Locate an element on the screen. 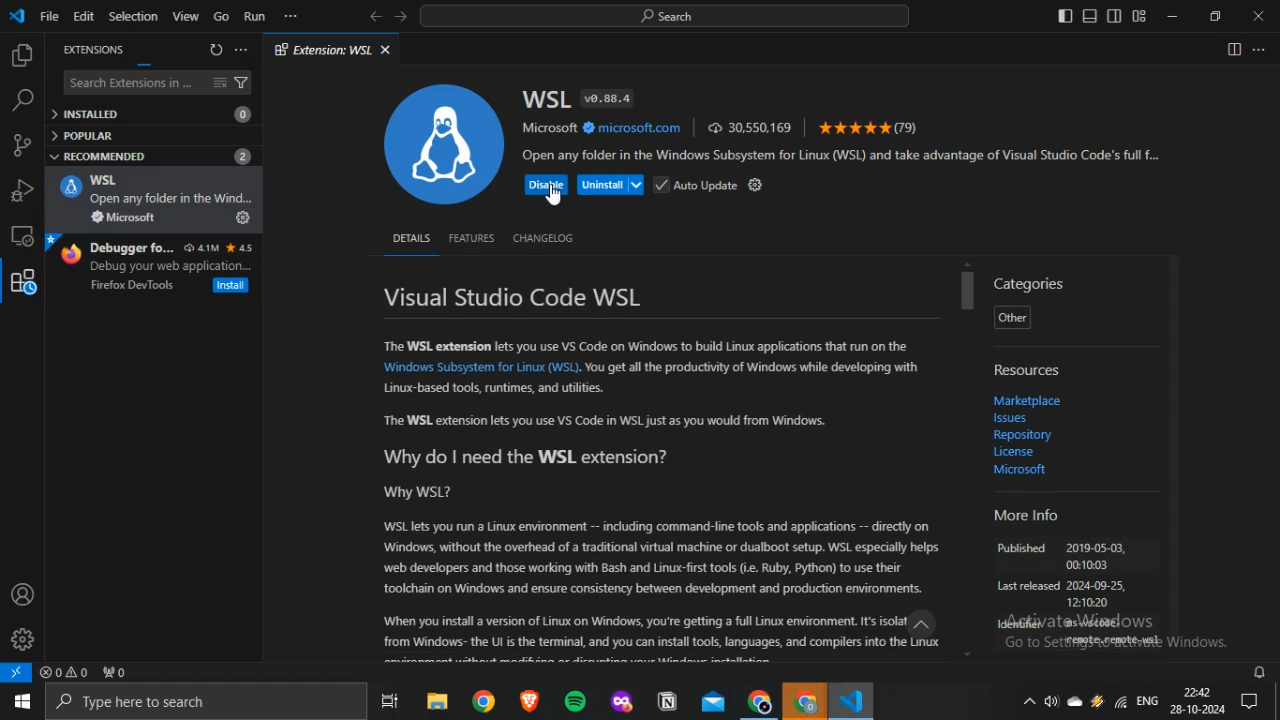  Notifications is located at coordinates (1251, 701).